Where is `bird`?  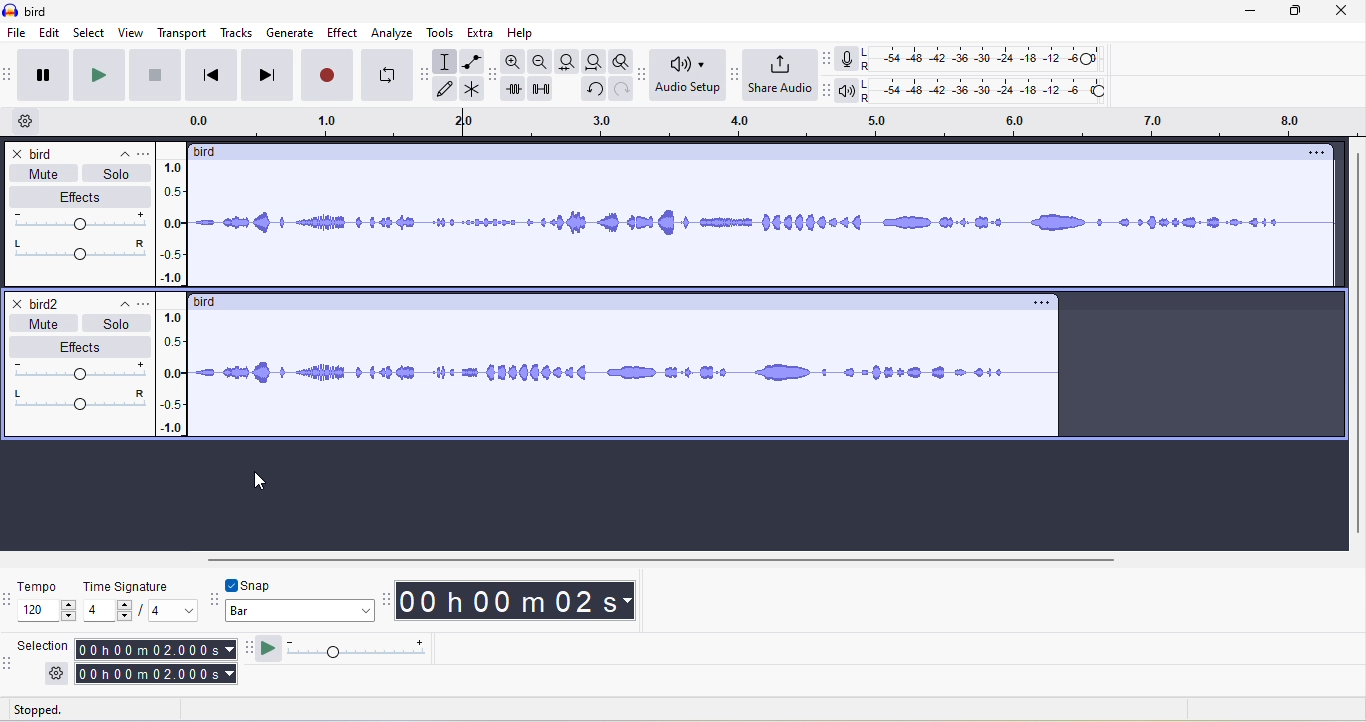 bird is located at coordinates (215, 300).